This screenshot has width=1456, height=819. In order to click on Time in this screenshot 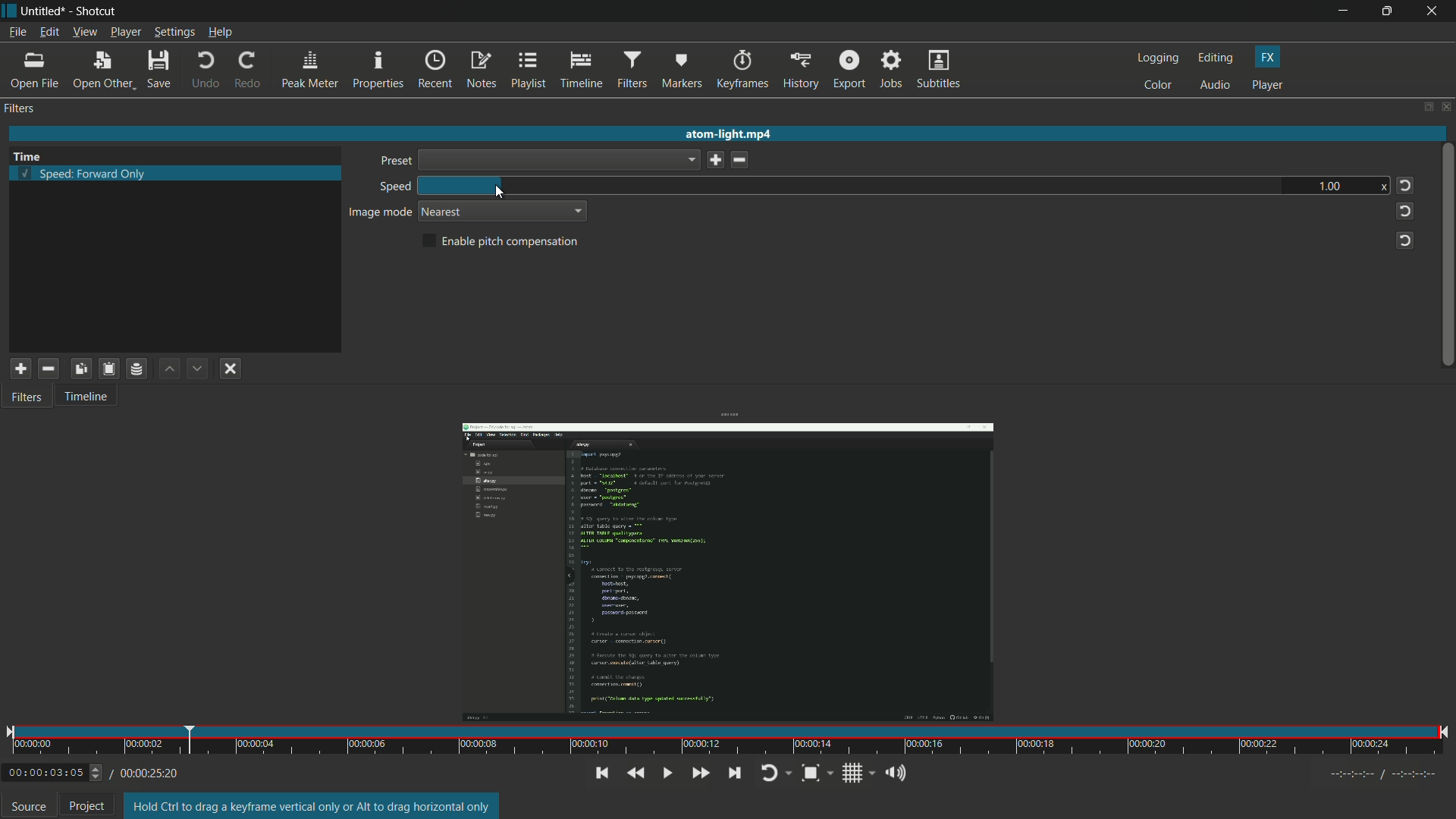, I will do `click(35, 154)`.